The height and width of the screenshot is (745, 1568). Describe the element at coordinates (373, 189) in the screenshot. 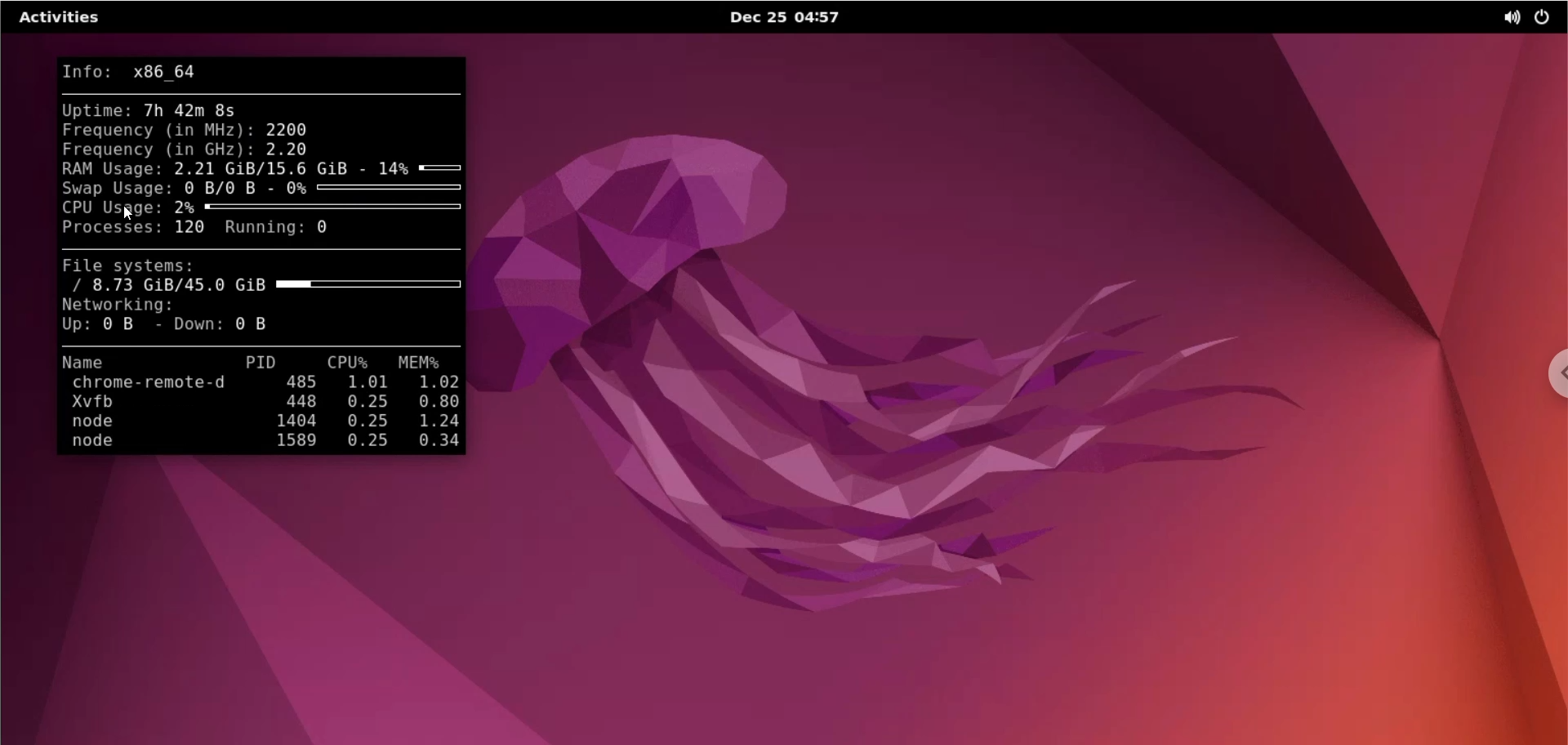

I see `0%` at that location.